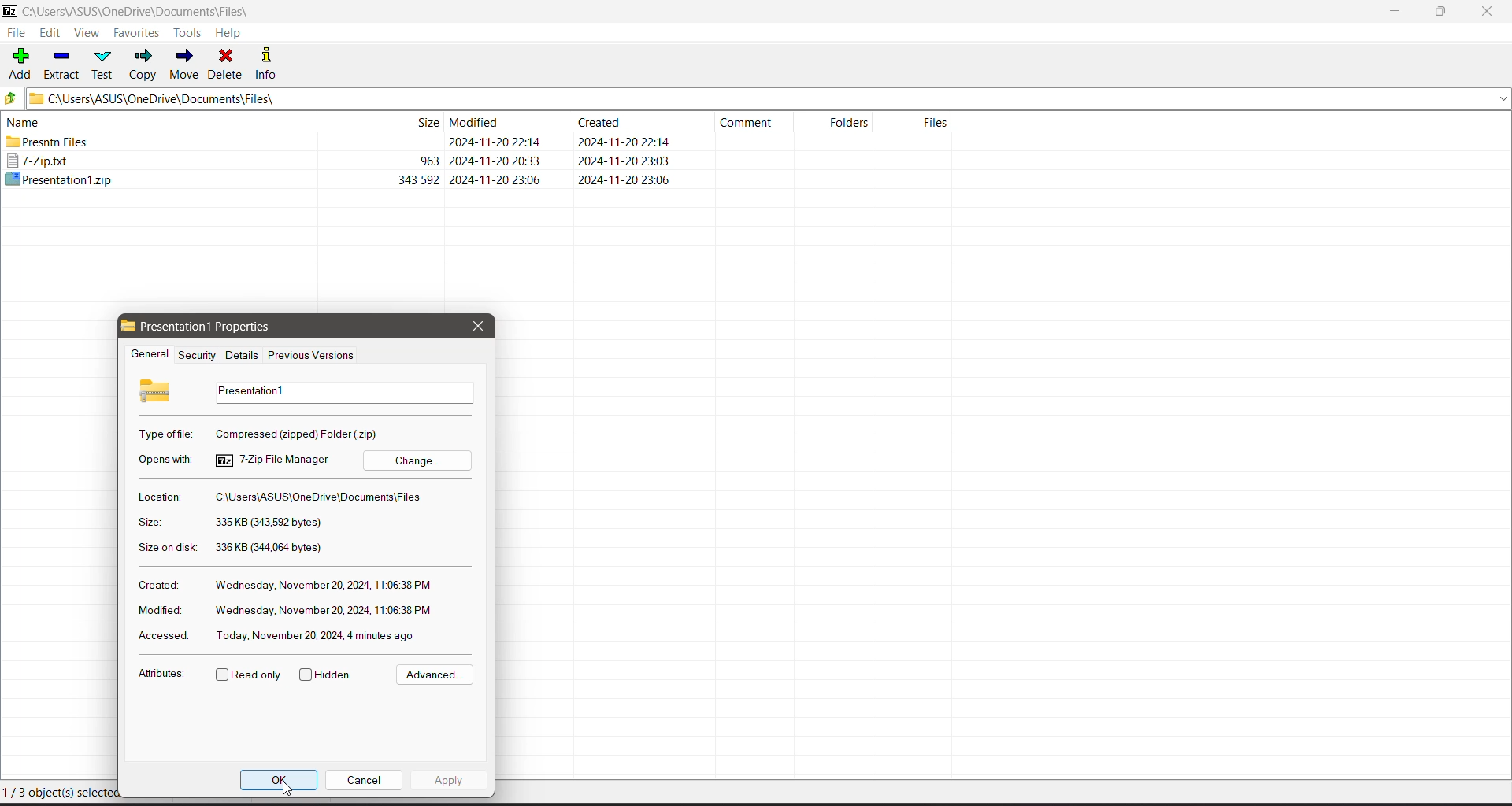 The height and width of the screenshot is (806, 1512). I want to click on Current Folder View, so click(484, 121).